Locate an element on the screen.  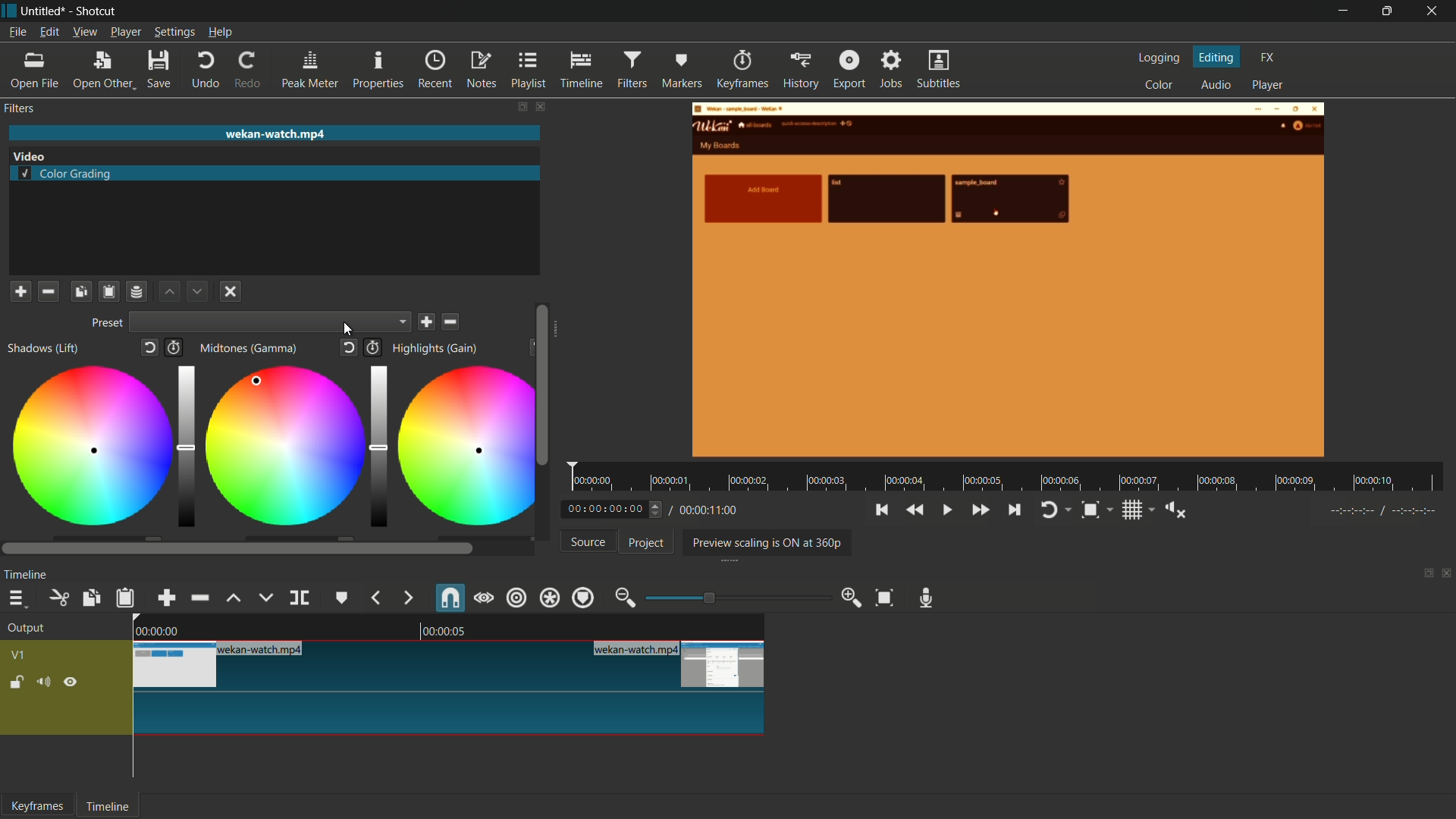
quickly play backward is located at coordinates (914, 510).